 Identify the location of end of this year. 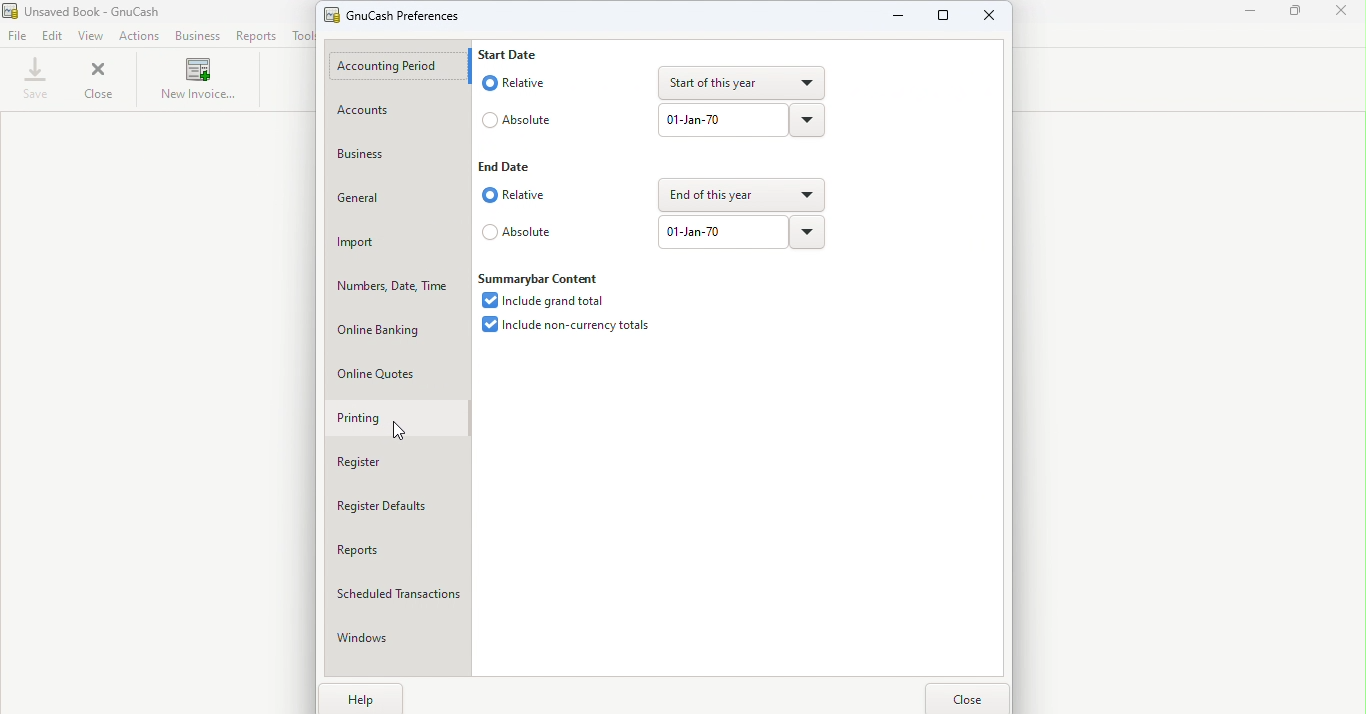
(745, 197).